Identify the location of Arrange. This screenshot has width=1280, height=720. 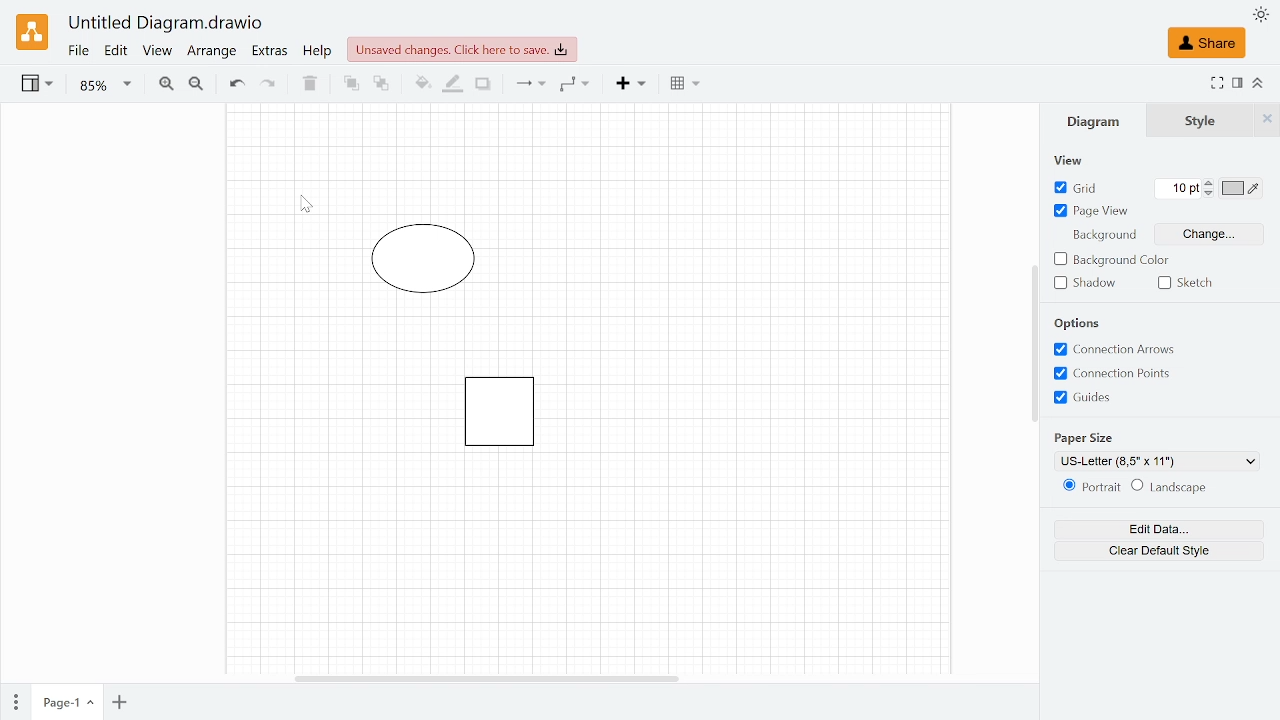
(212, 54).